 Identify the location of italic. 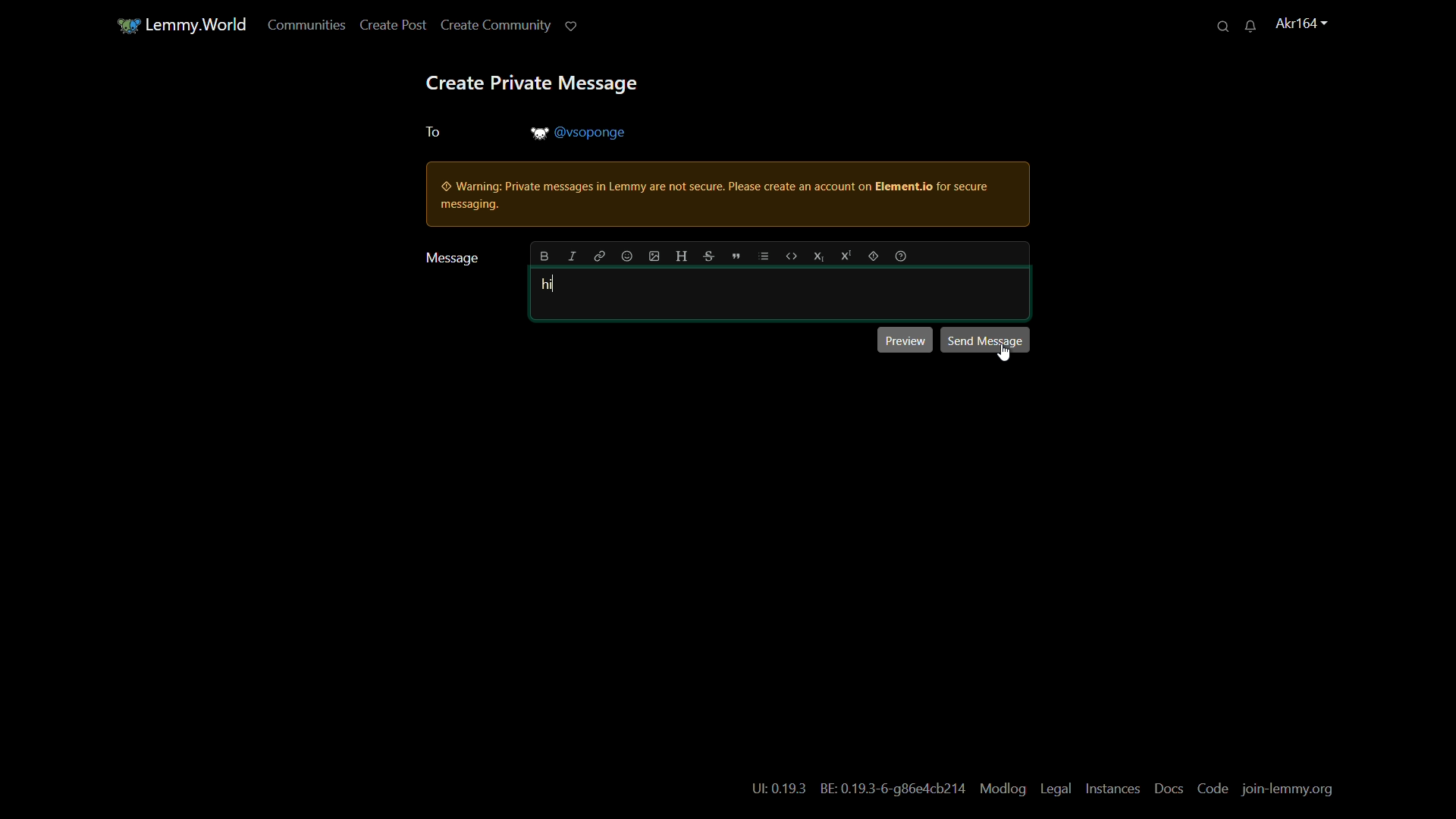
(572, 257).